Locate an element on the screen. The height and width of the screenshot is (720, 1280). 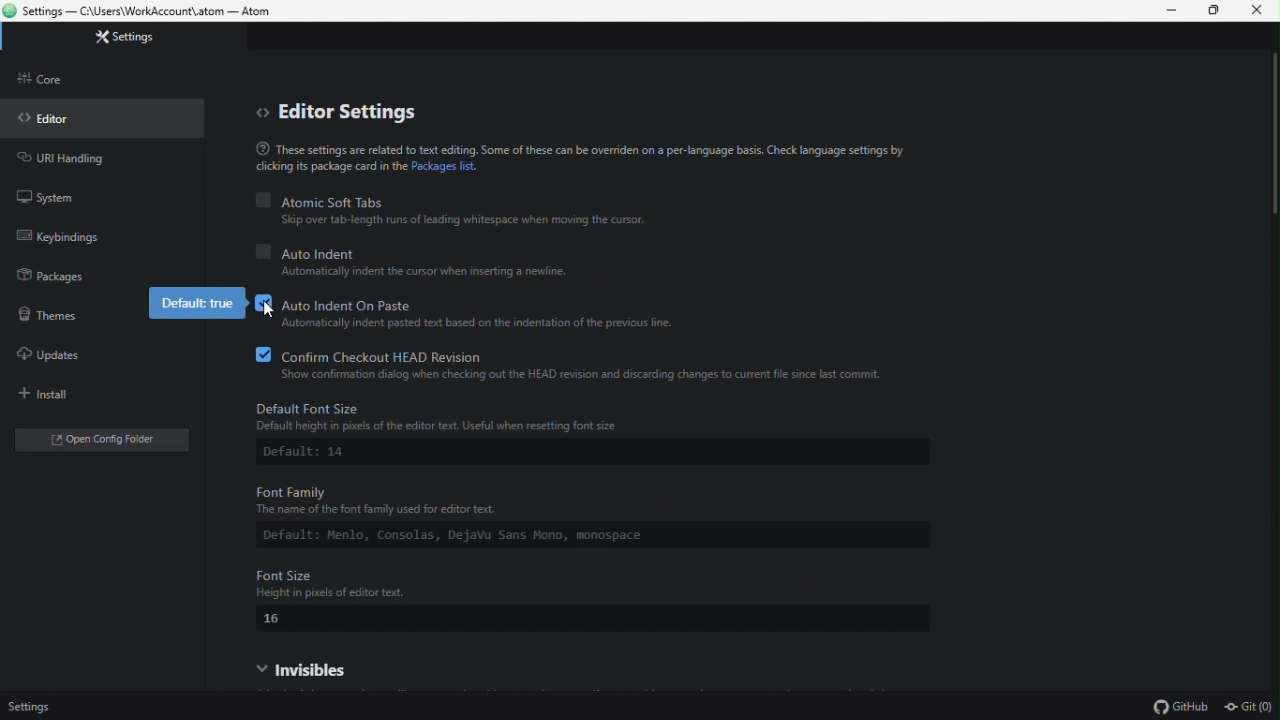
github is located at coordinates (1182, 707).